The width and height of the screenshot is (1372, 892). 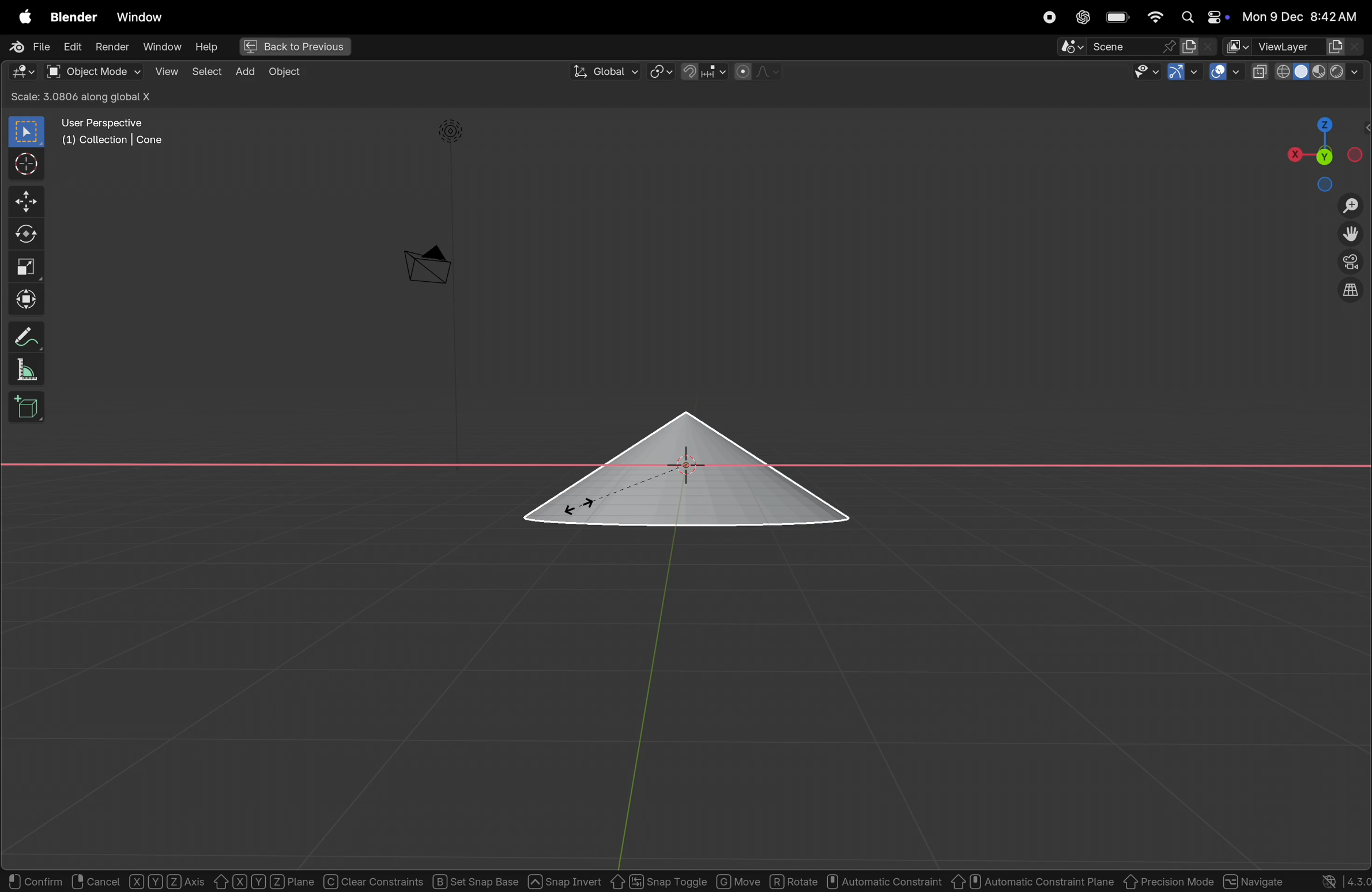 What do you see at coordinates (374, 881) in the screenshot?
I see `Clear Constraints` at bounding box center [374, 881].